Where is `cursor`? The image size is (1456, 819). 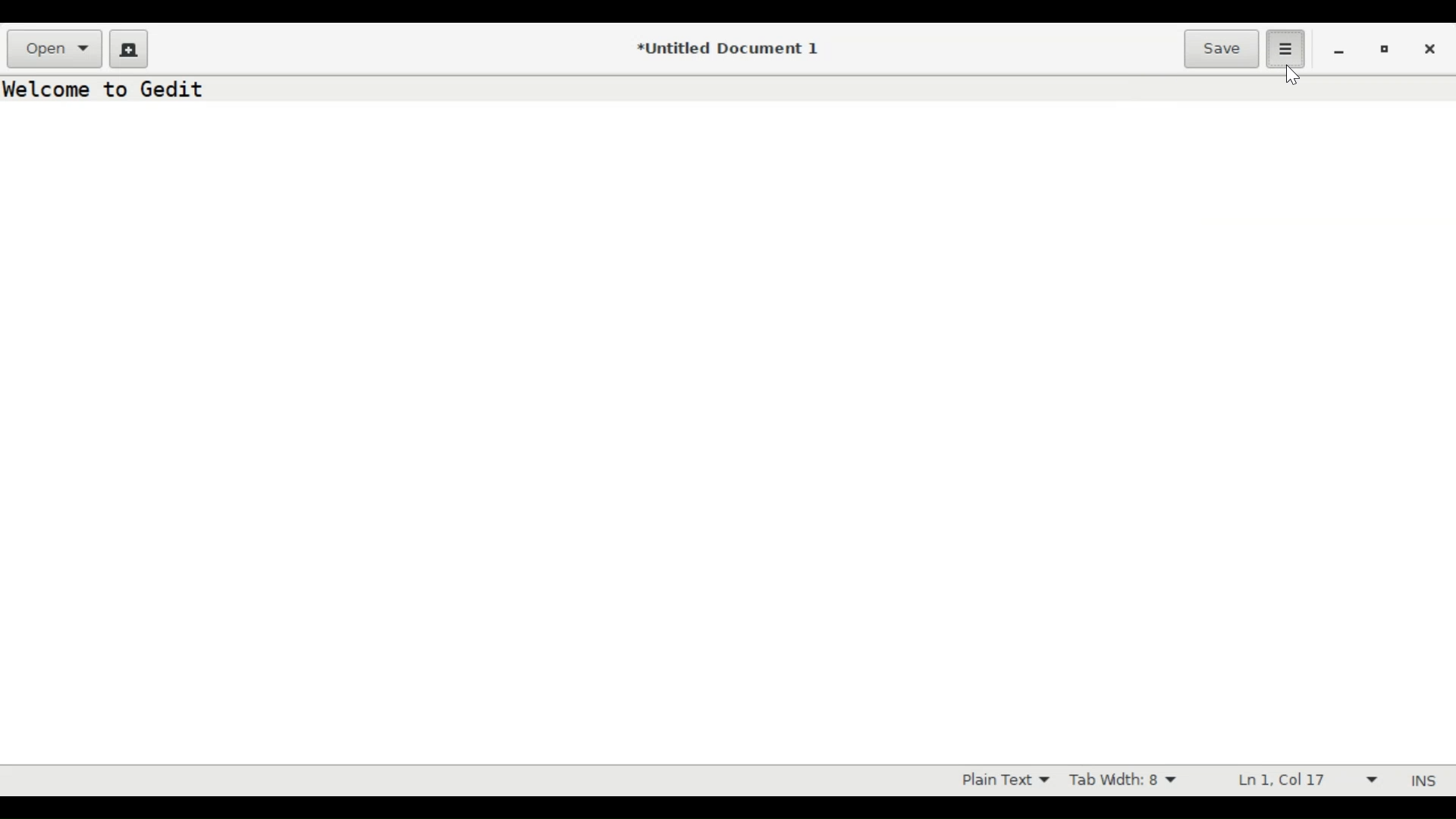 cursor is located at coordinates (1297, 75).